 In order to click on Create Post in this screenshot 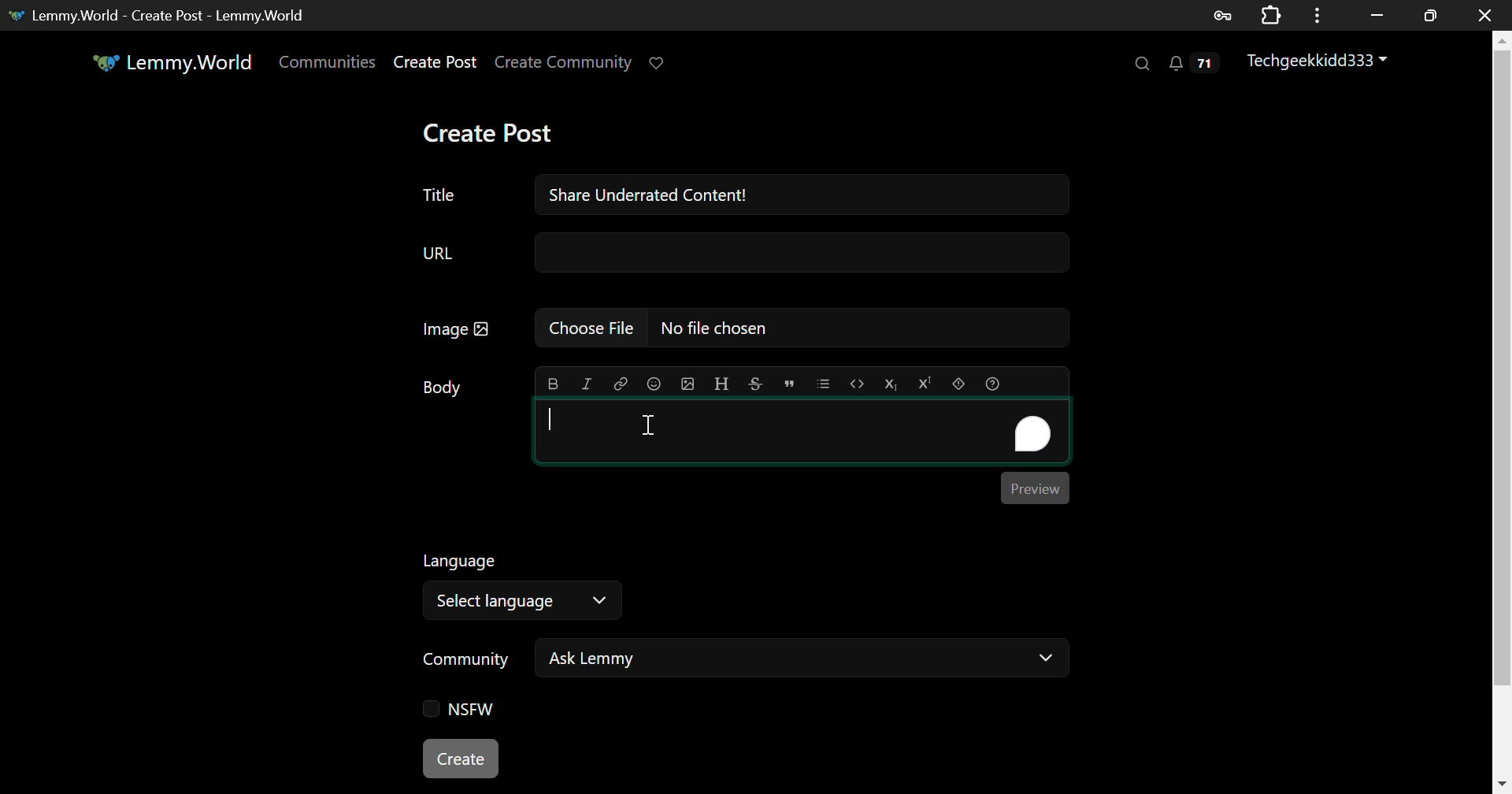, I will do `click(487, 132)`.